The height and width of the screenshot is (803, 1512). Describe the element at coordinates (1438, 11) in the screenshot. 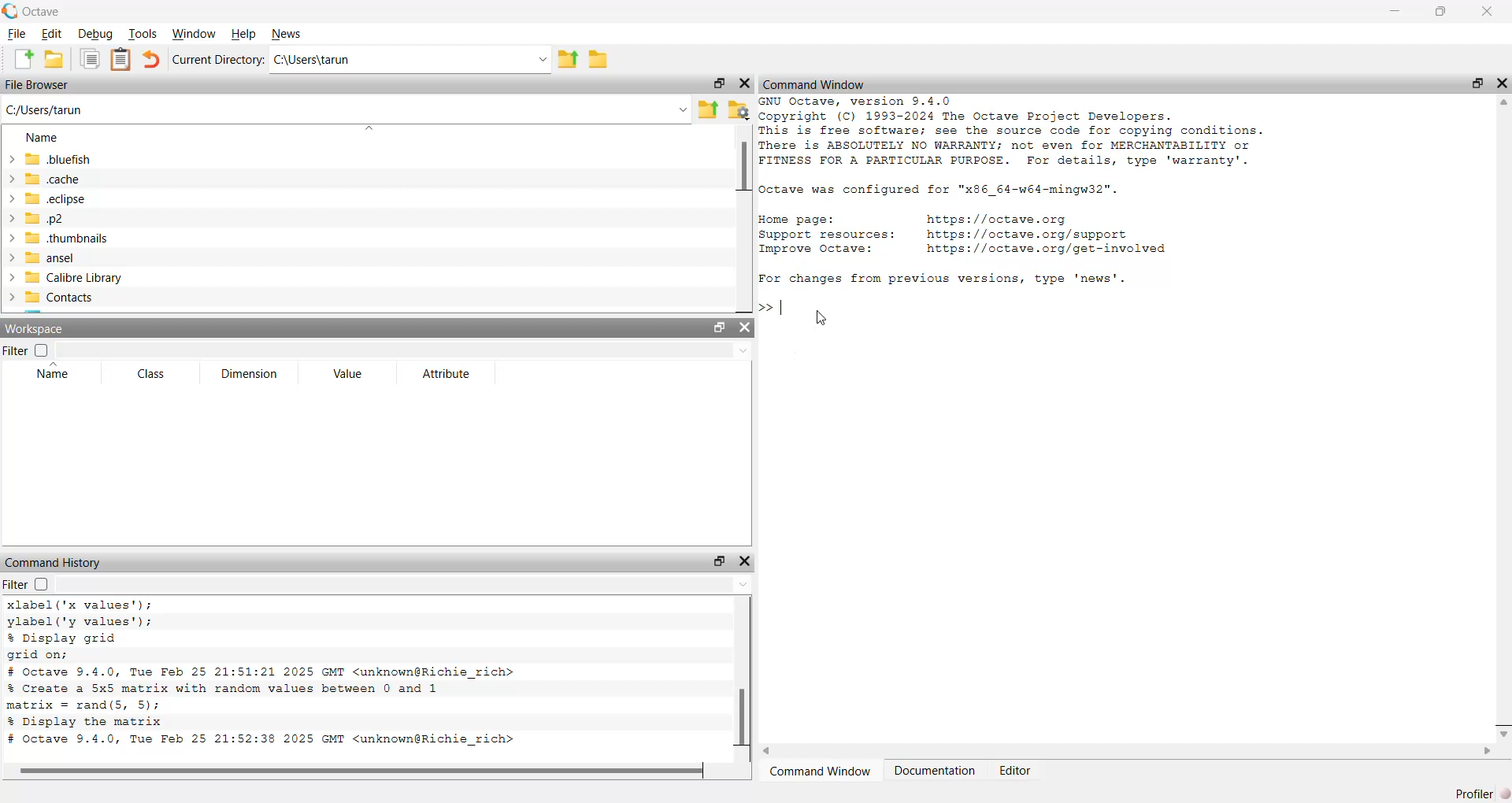

I see `maximise` at that location.